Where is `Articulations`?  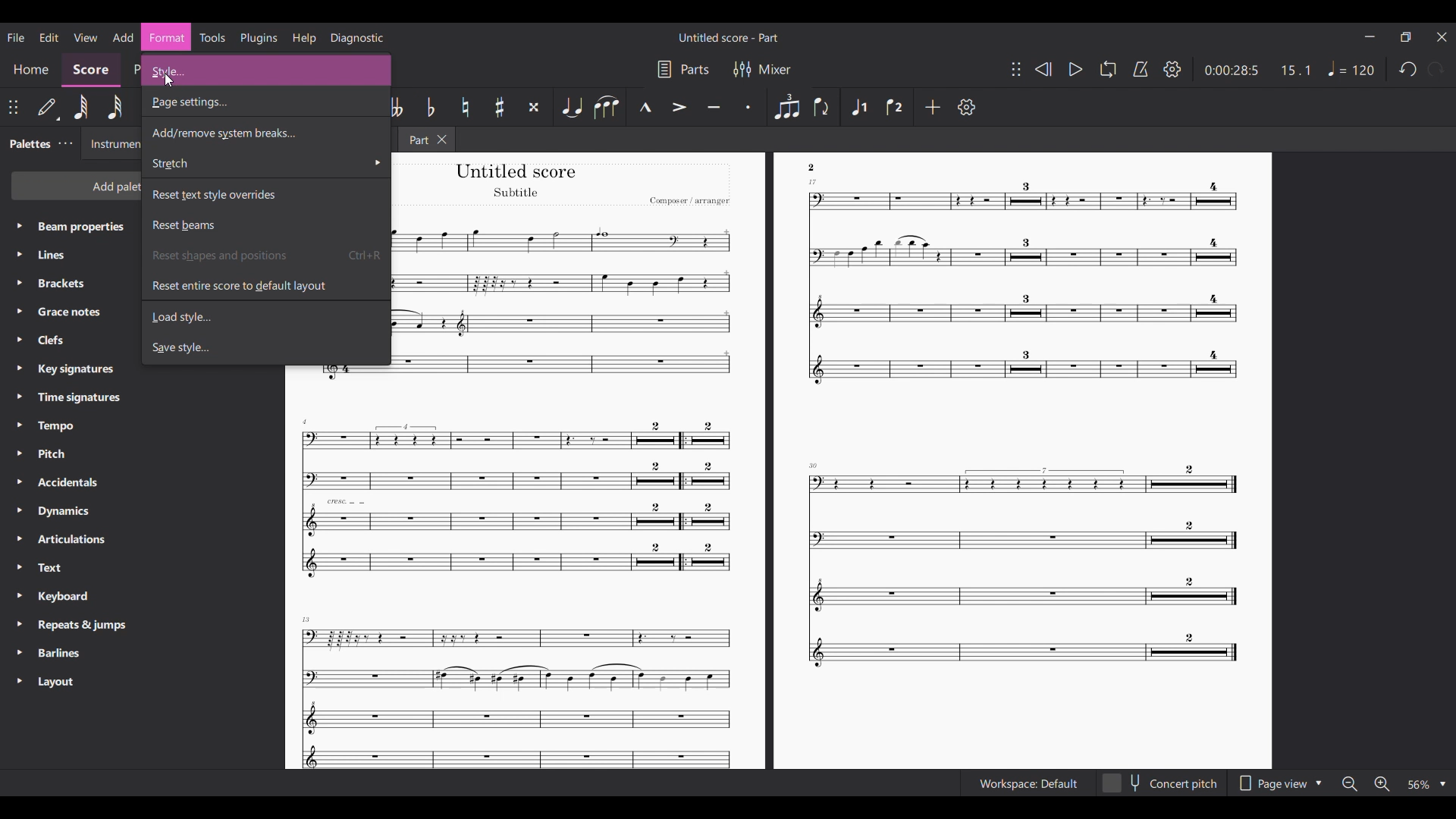 Articulations is located at coordinates (64, 538).